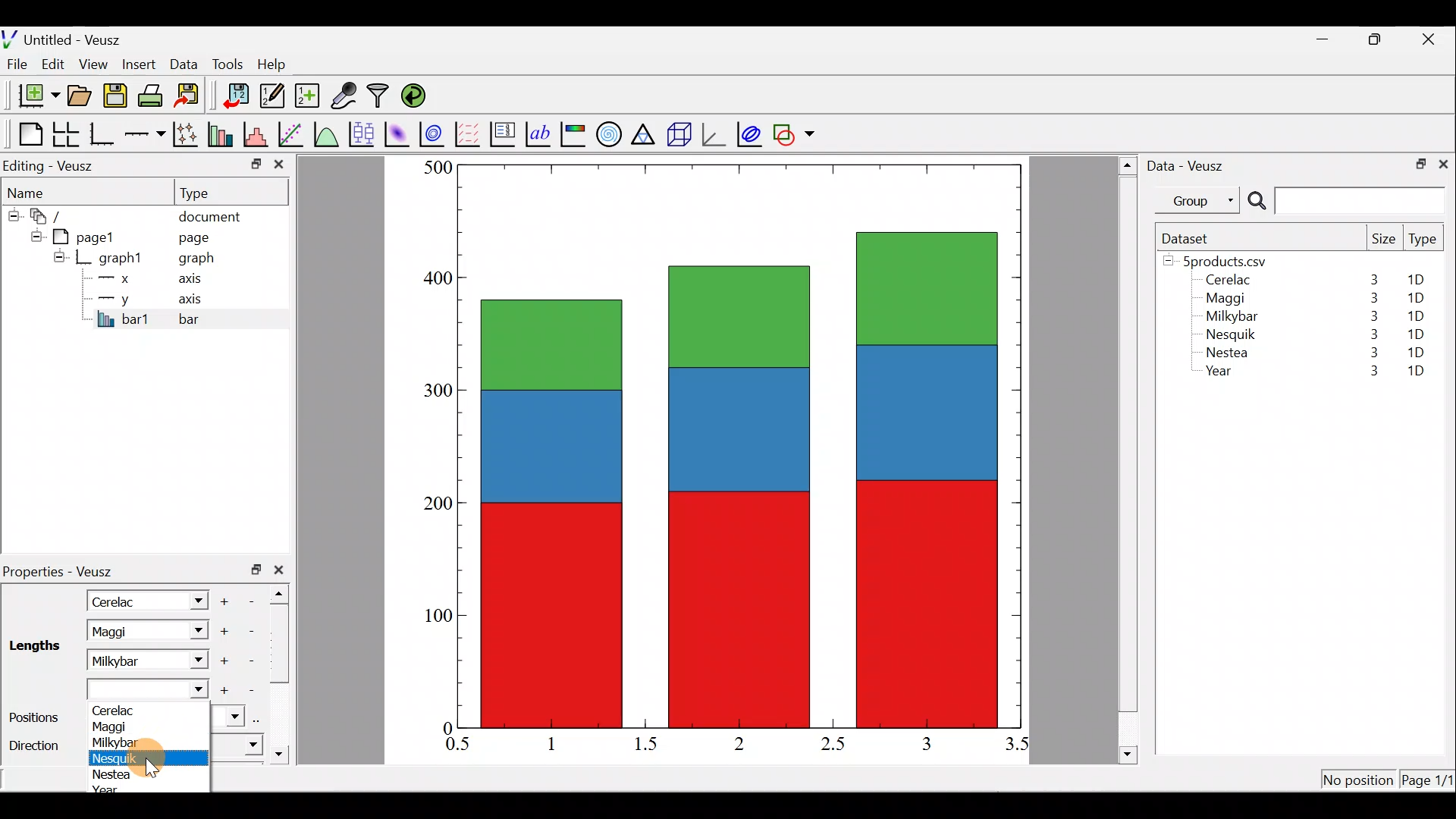 This screenshot has height=819, width=1456. What do you see at coordinates (128, 659) in the screenshot?
I see `Milkybar` at bounding box center [128, 659].